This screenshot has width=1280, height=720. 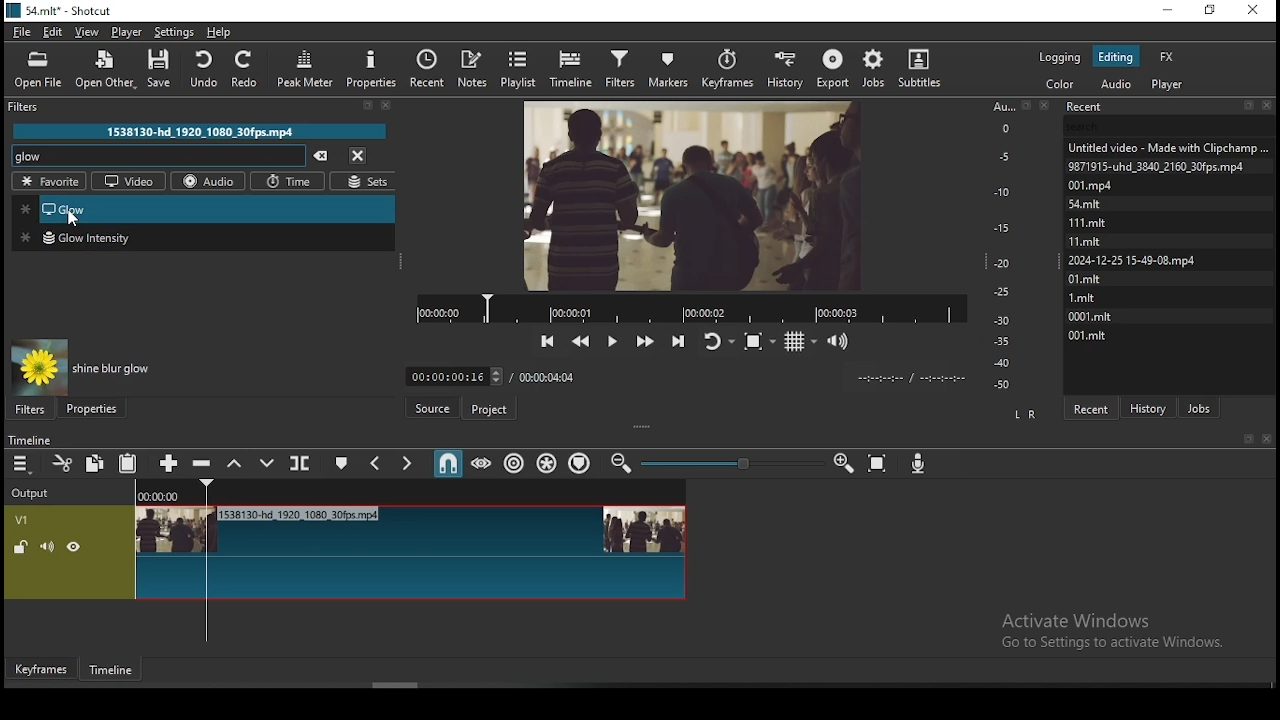 What do you see at coordinates (1171, 84) in the screenshot?
I see `player` at bounding box center [1171, 84].